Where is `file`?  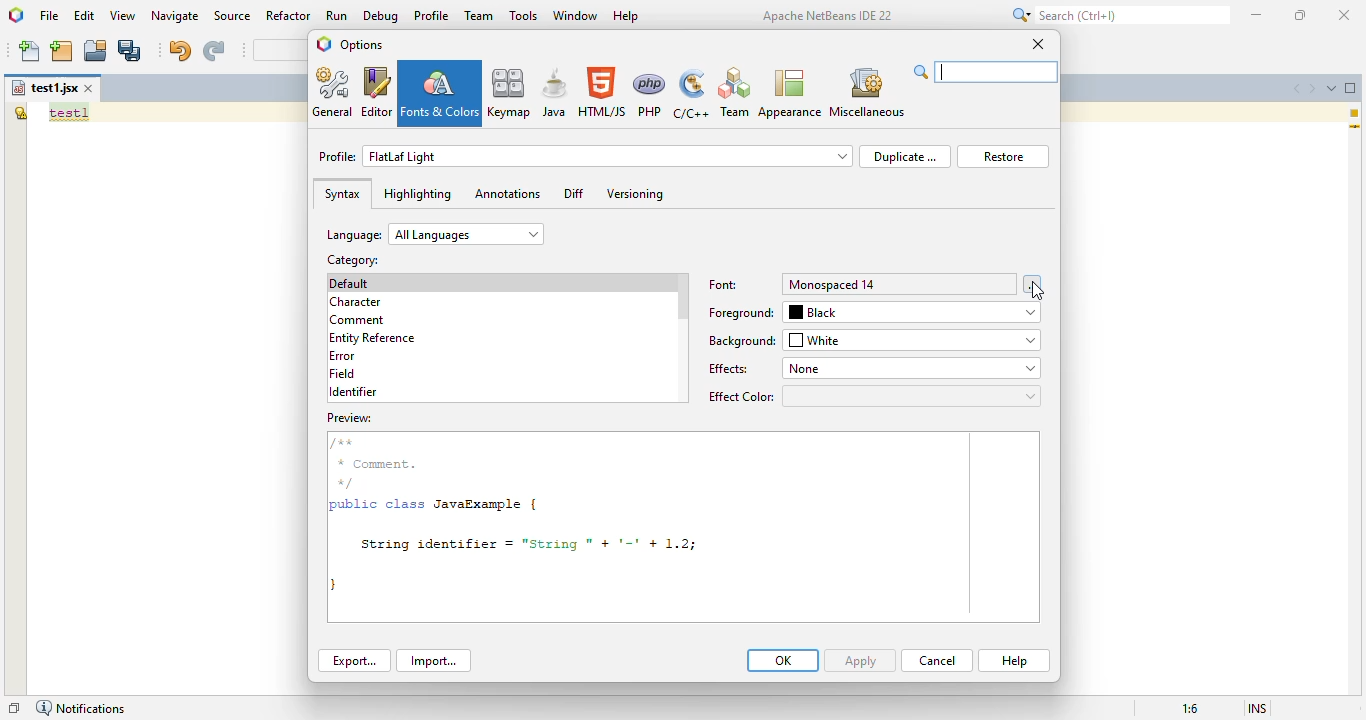
file is located at coordinates (49, 15).